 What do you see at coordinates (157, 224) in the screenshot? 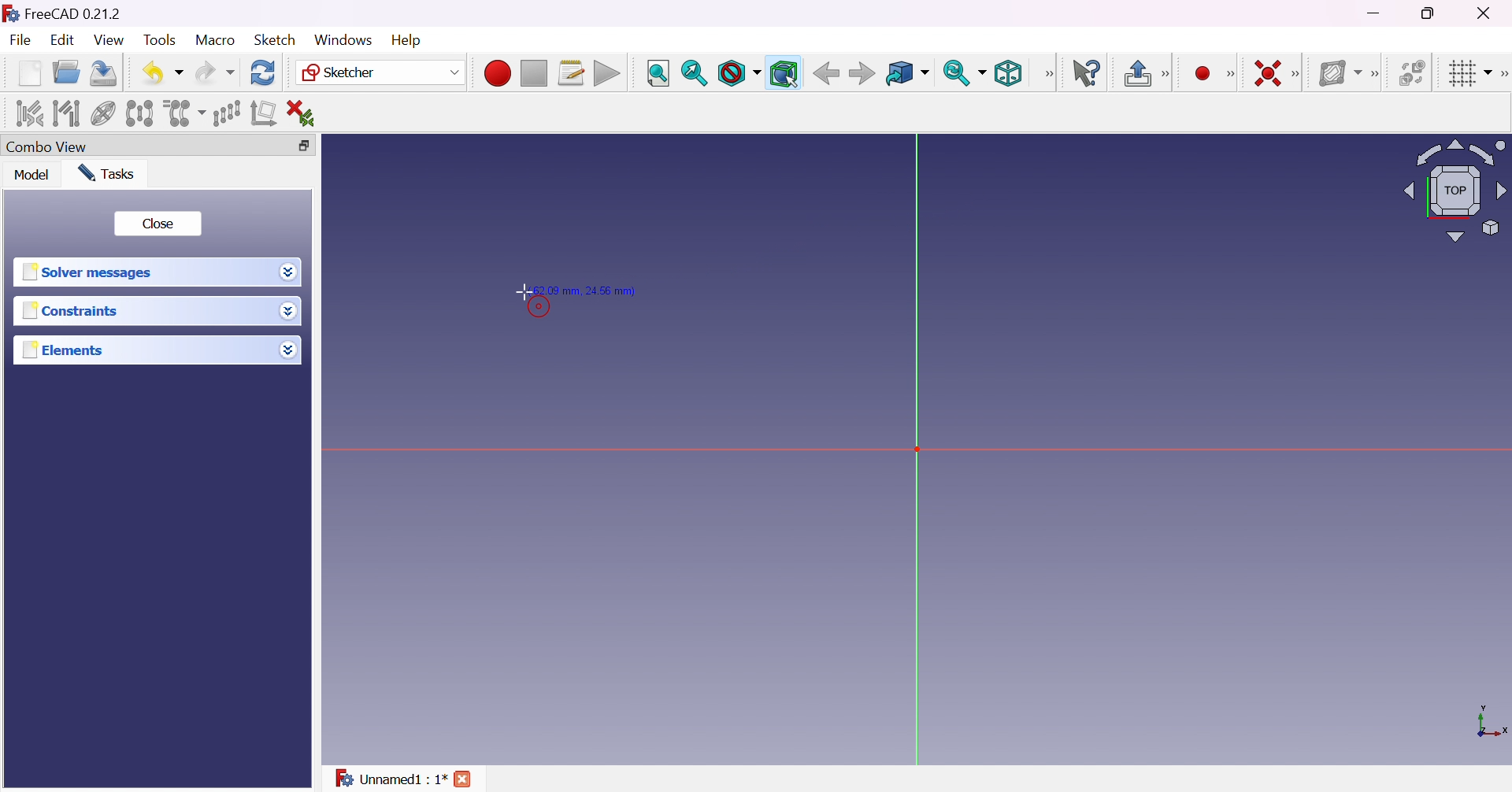
I see `Close` at bounding box center [157, 224].